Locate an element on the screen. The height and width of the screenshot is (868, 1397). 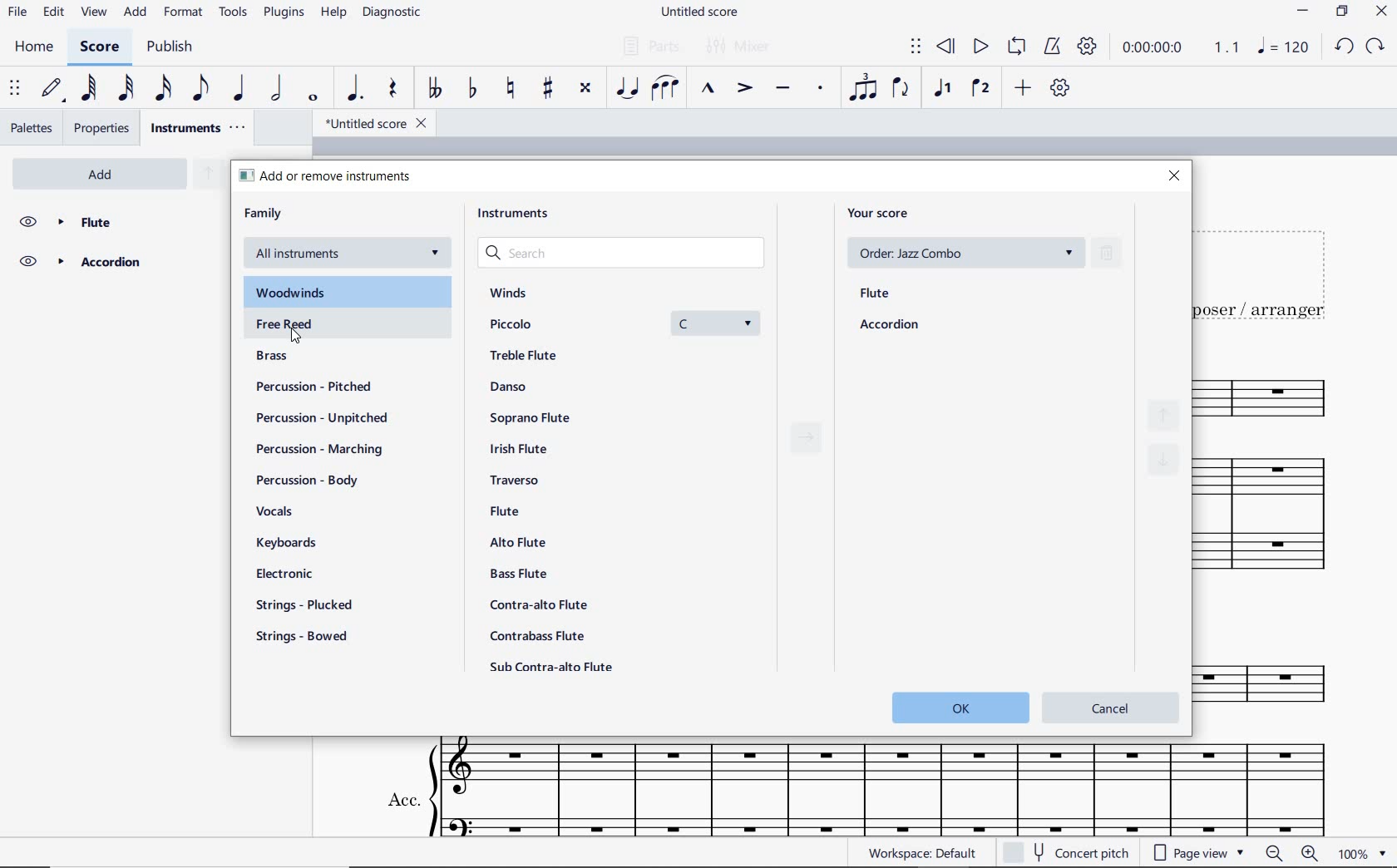
rest is located at coordinates (392, 89).